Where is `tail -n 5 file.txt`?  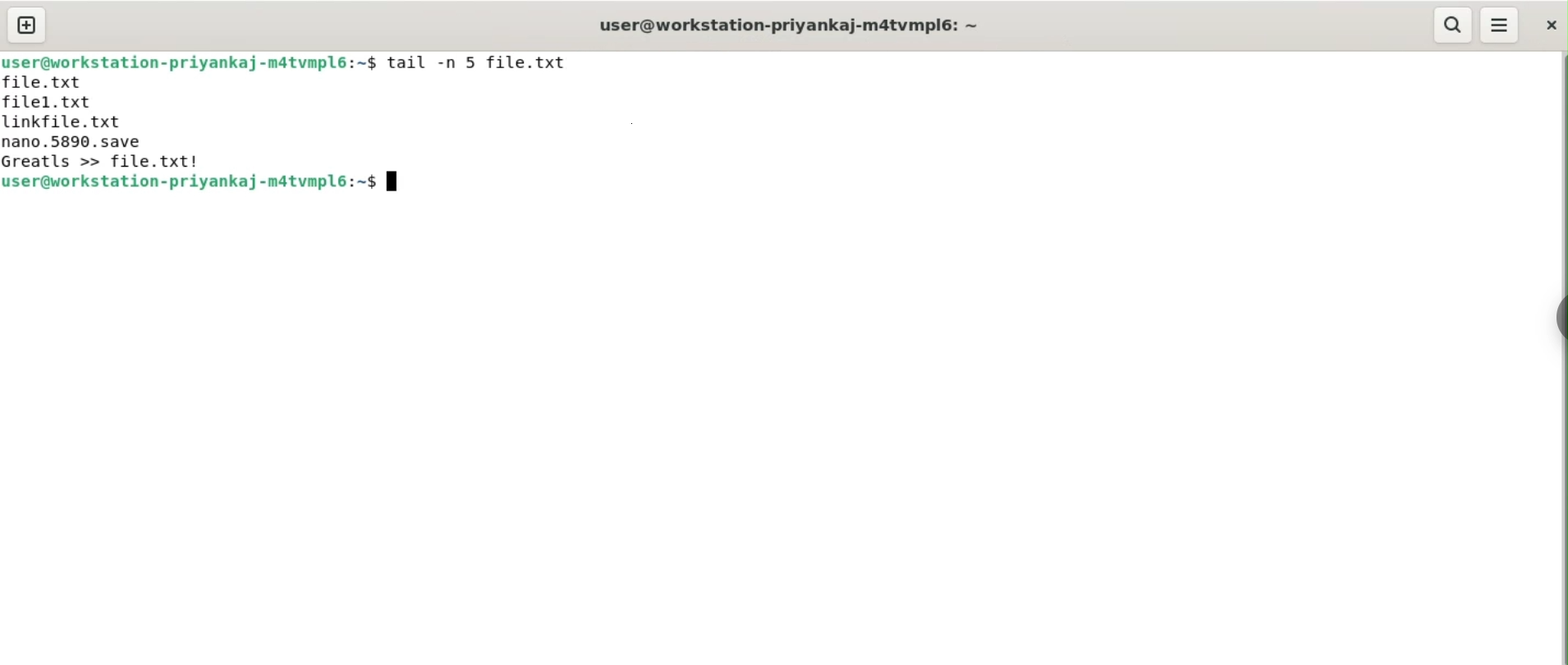 tail -n 5 file.txt is located at coordinates (479, 62).